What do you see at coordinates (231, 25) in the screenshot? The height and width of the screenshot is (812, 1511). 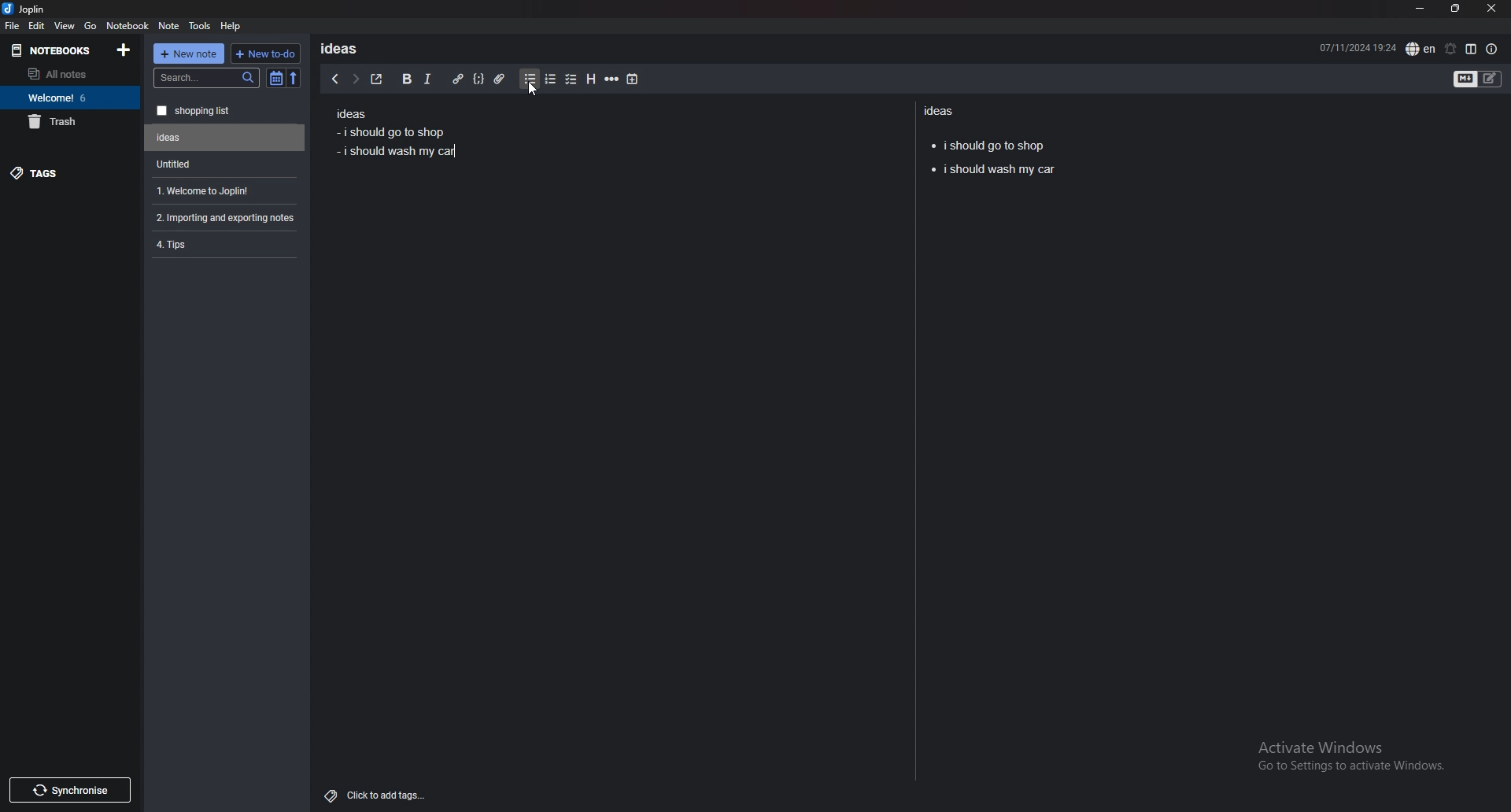 I see `help` at bounding box center [231, 25].